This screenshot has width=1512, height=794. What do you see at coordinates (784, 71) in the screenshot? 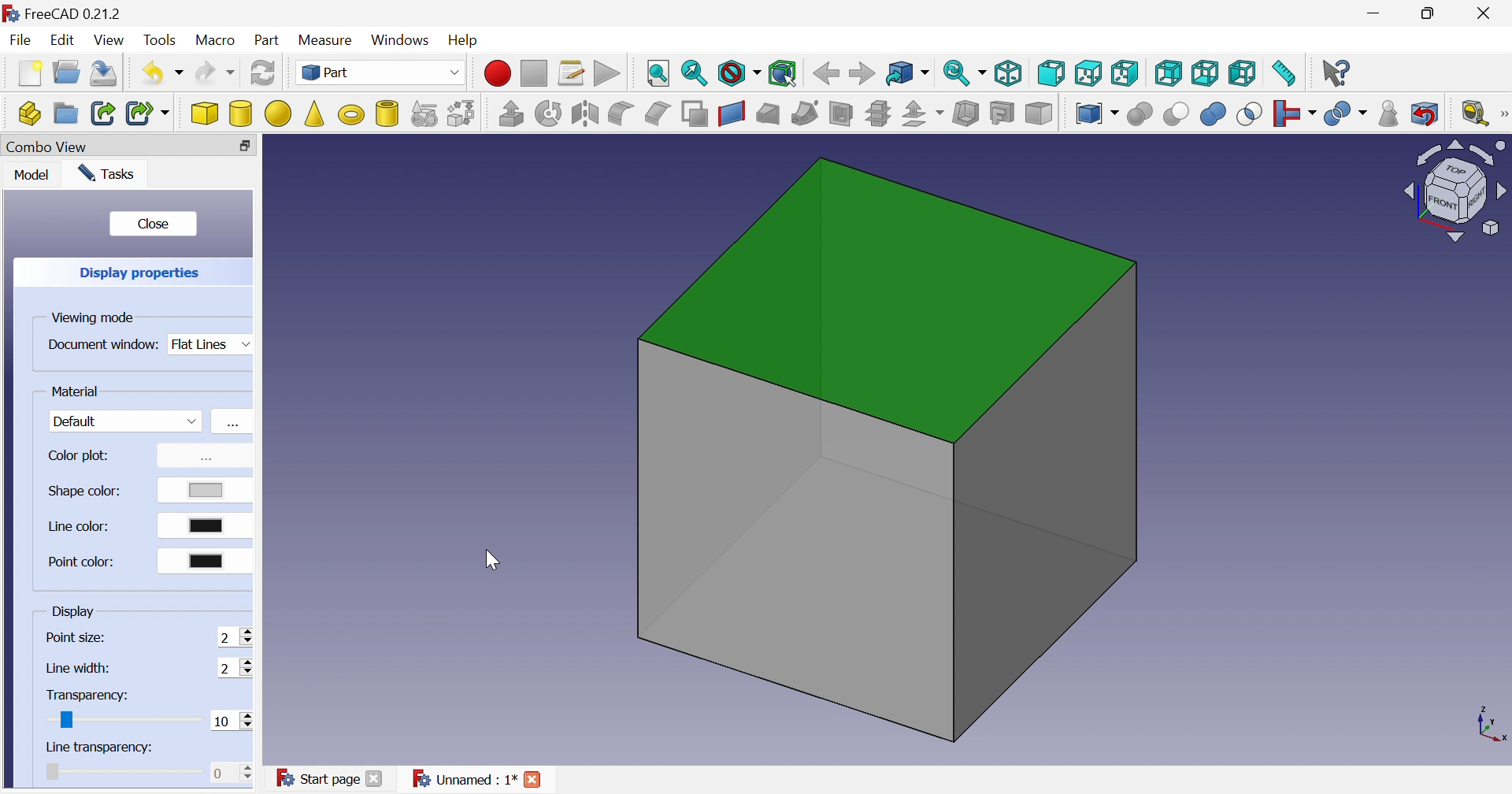
I see `Bounding box` at bounding box center [784, 71].